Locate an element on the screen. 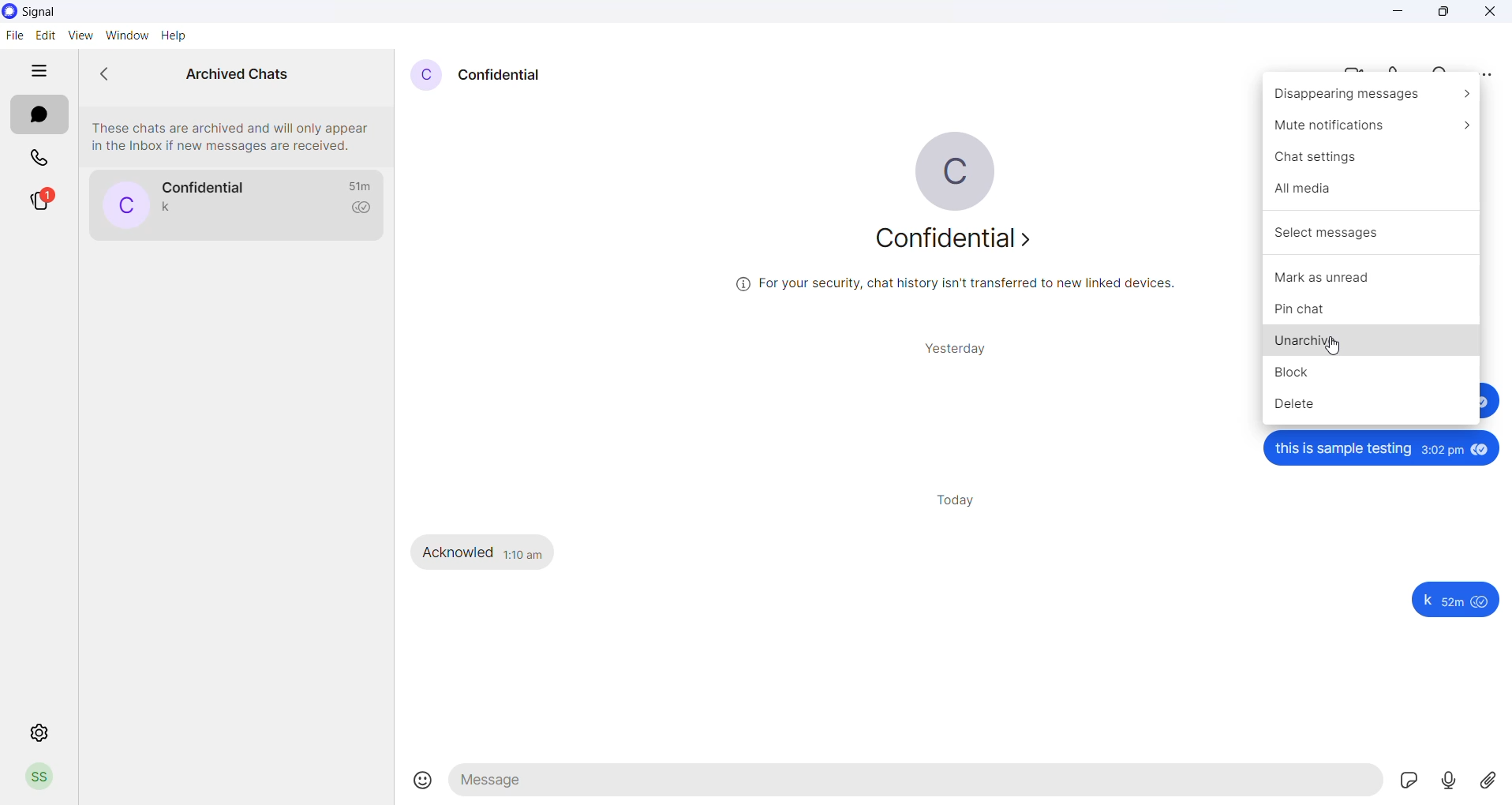 The height and width of the screenshot is (805, 1512). all media is located at coordinates (1375, 193).